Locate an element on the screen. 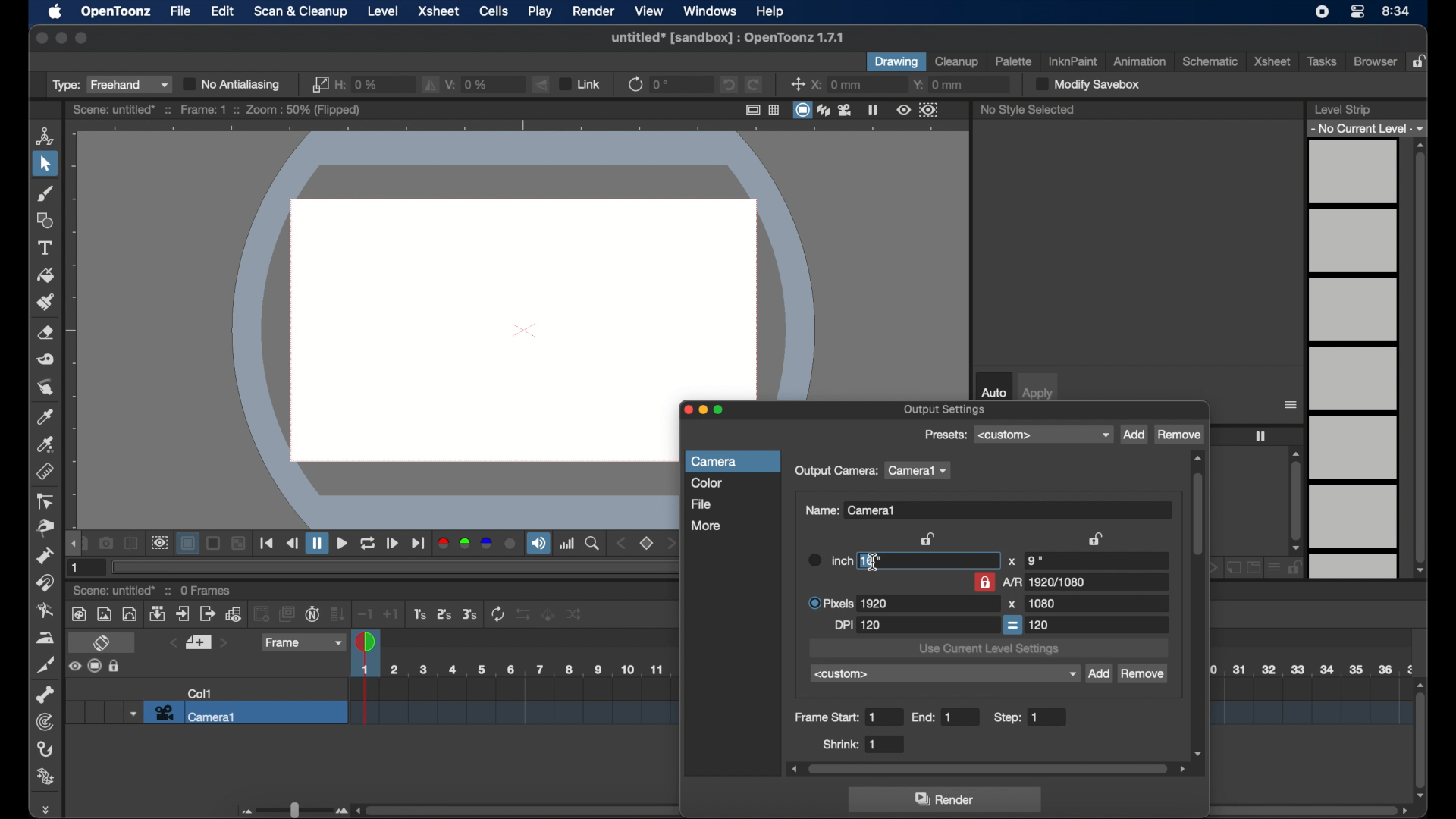  refresh is located at coordinates (634, 83).